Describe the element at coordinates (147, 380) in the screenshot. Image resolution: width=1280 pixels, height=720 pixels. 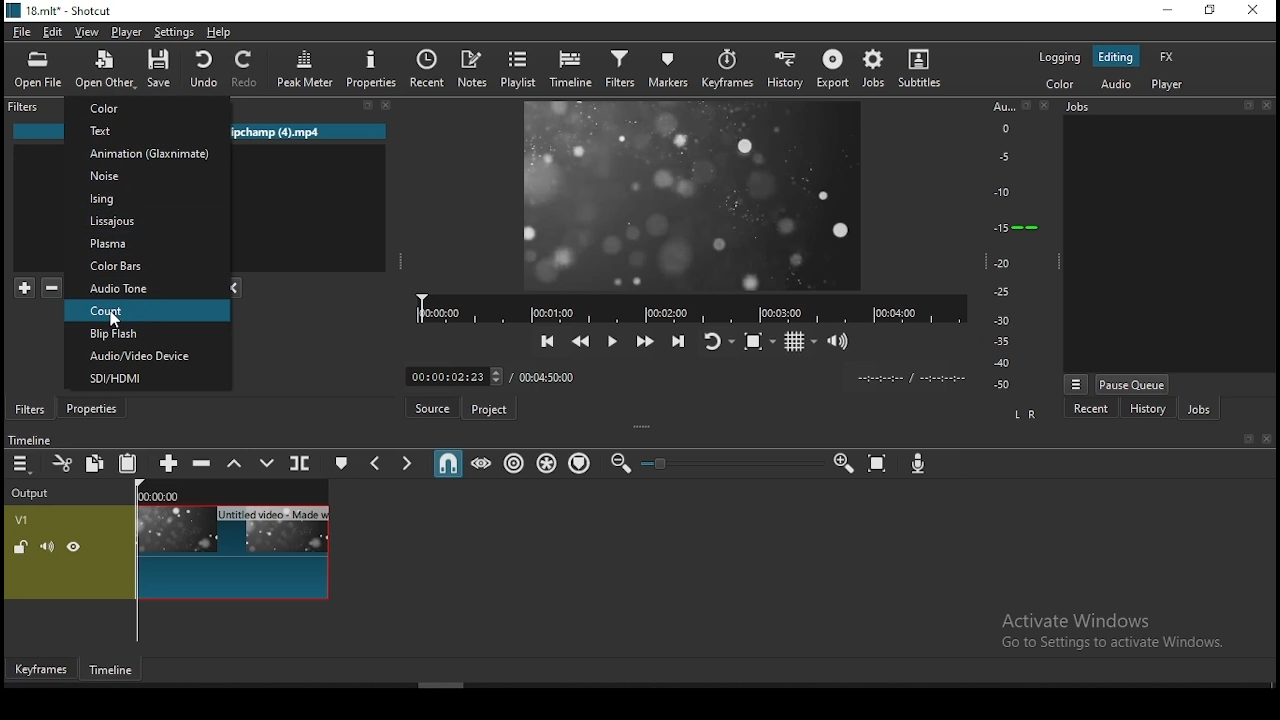
I see `SDI/HDMI` at that location.